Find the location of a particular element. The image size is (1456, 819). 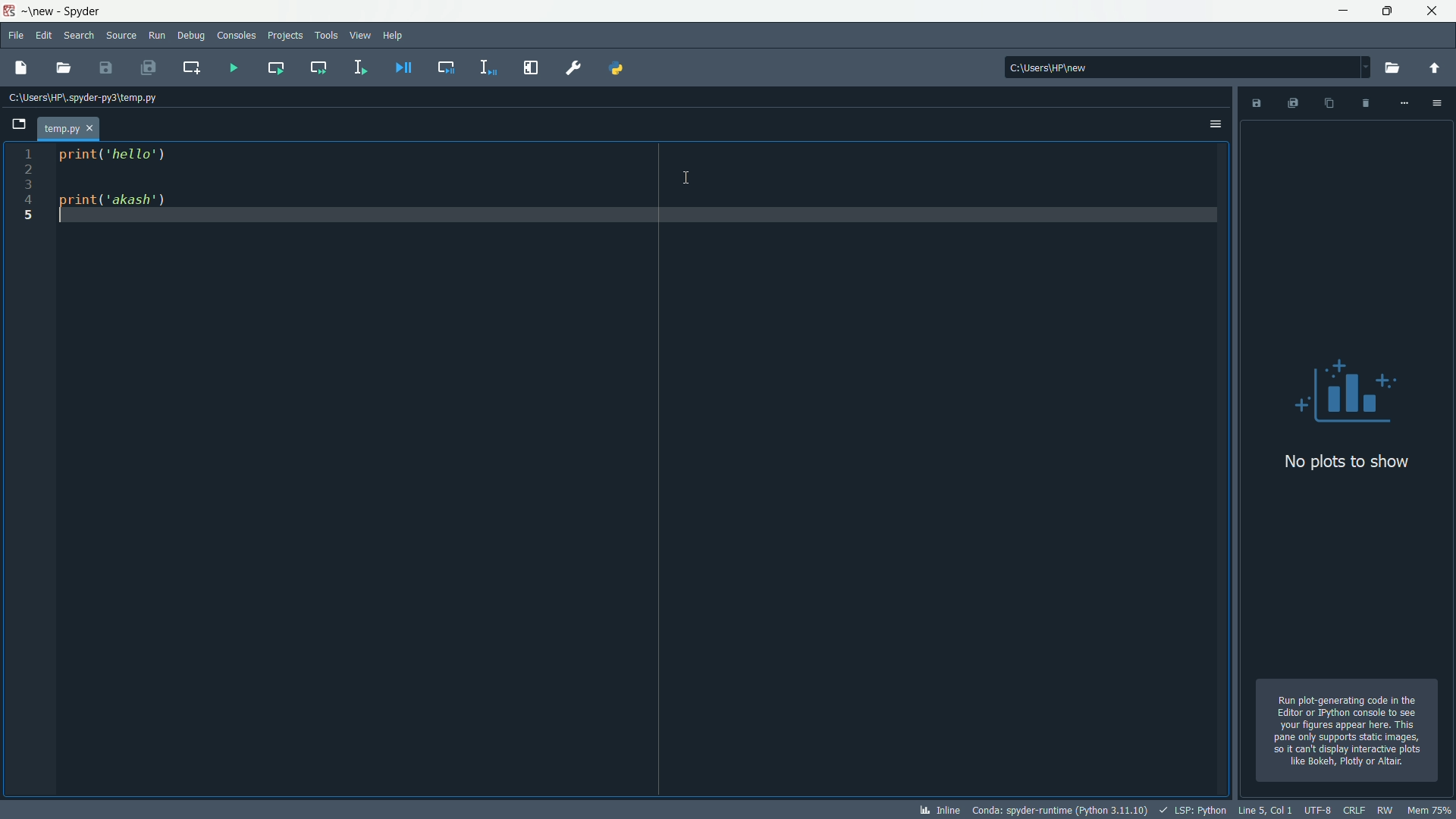

print('hello')  print('akash') is located at coordinates (638, 473).